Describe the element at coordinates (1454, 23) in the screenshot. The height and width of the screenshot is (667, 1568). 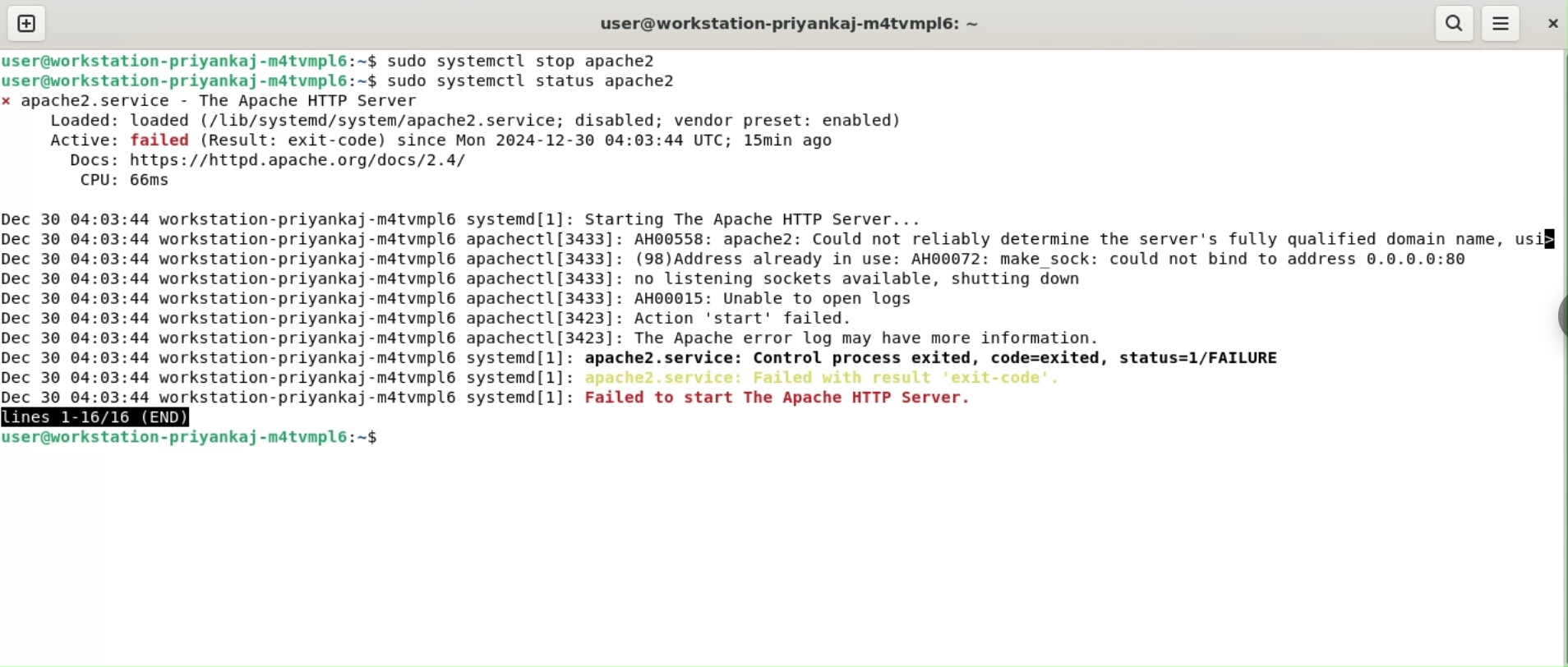
I see `search` at that location.